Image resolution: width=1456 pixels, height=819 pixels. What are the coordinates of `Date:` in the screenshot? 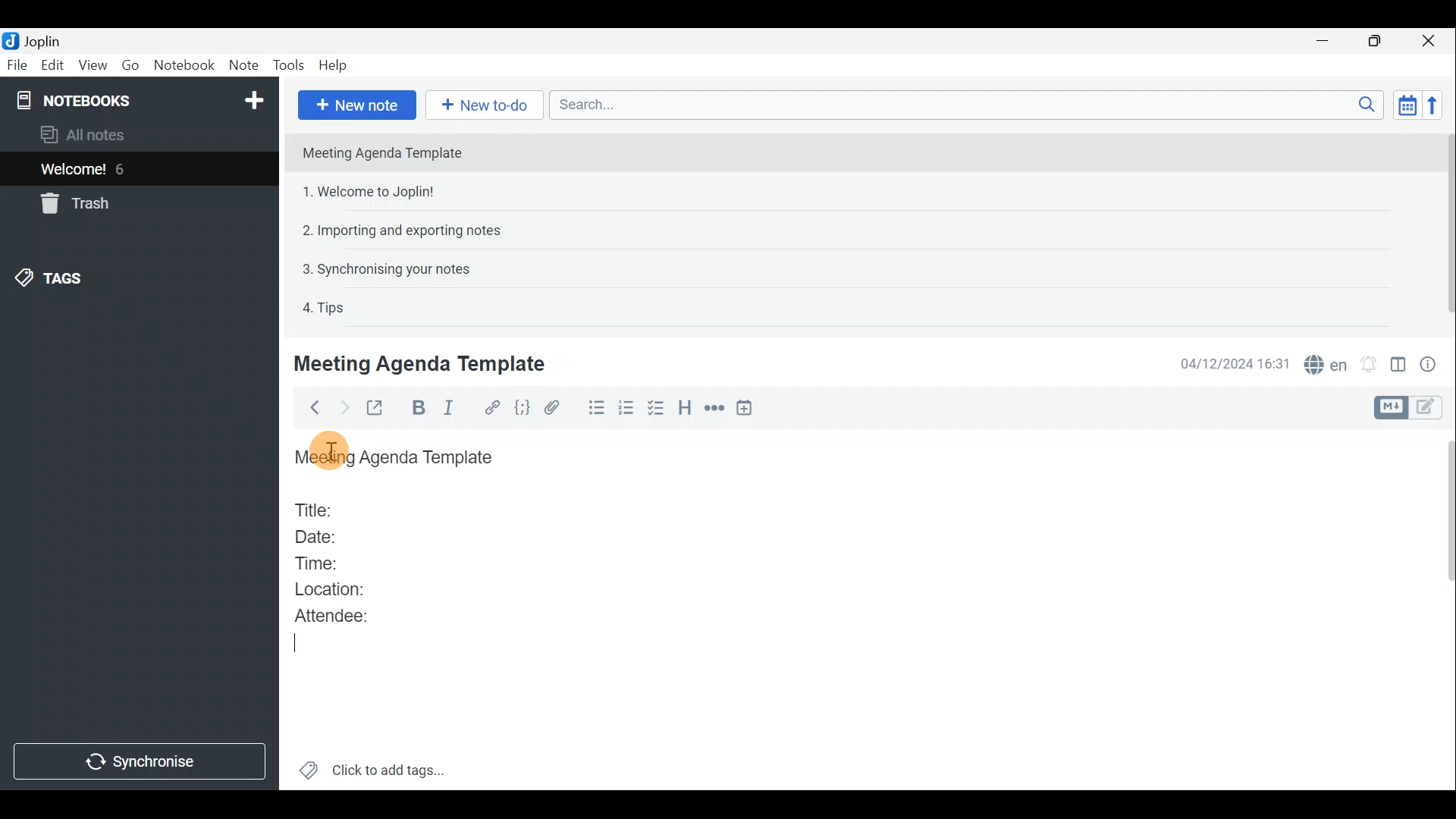 It's located at (328, 535).